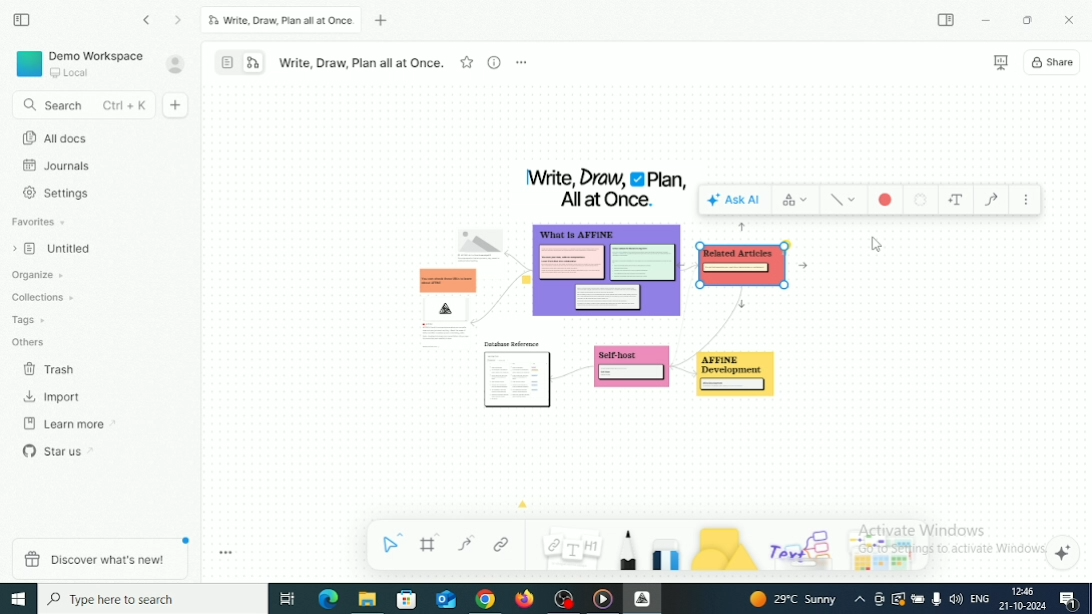 The image size is (1092, 614). What do you see at coordinates (519, 377) in the screenshot?
I see `Sticky notes` at bounding box center [519, 377].